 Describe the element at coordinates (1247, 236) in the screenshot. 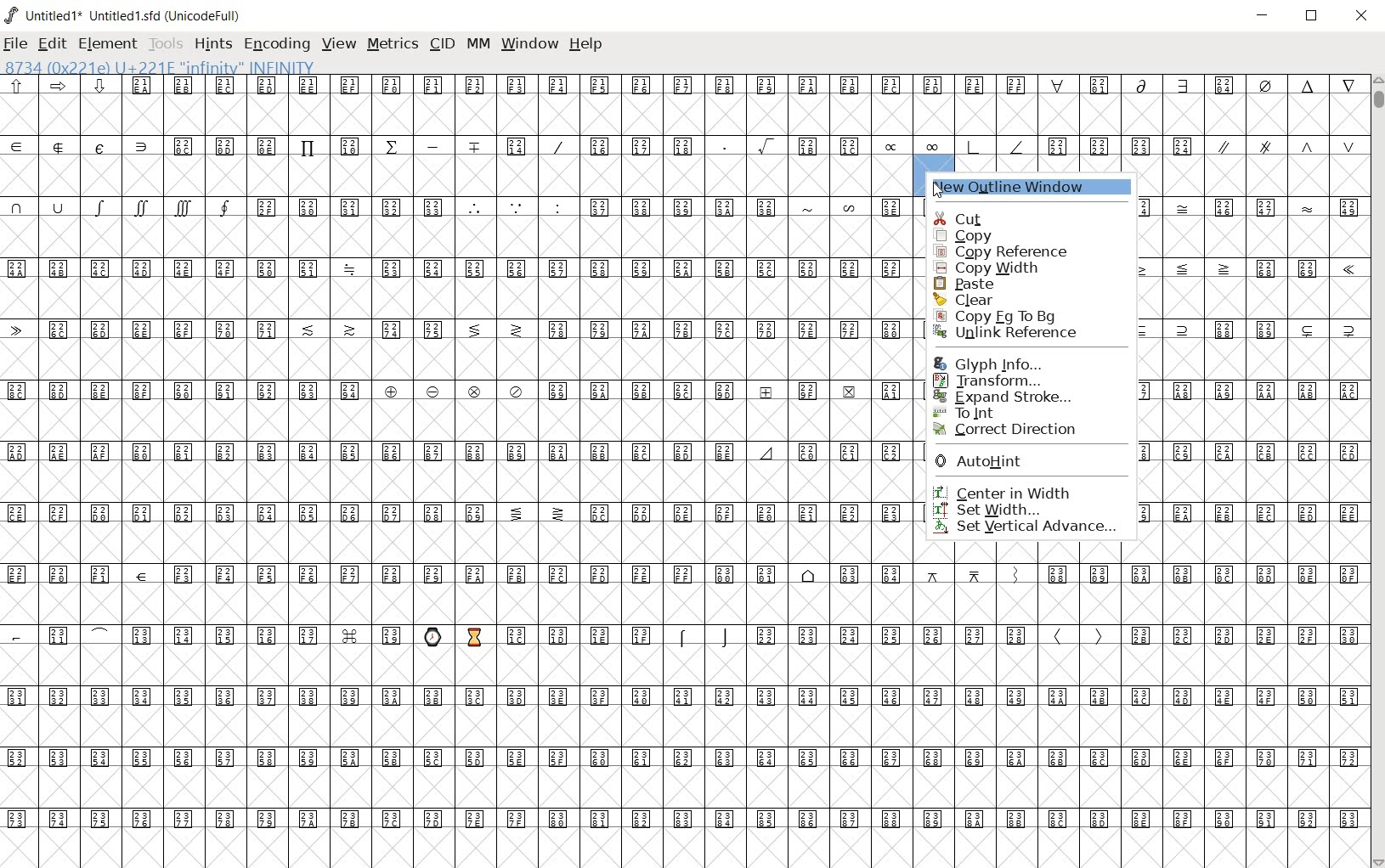

I see `Empty glyph slots` at that location.